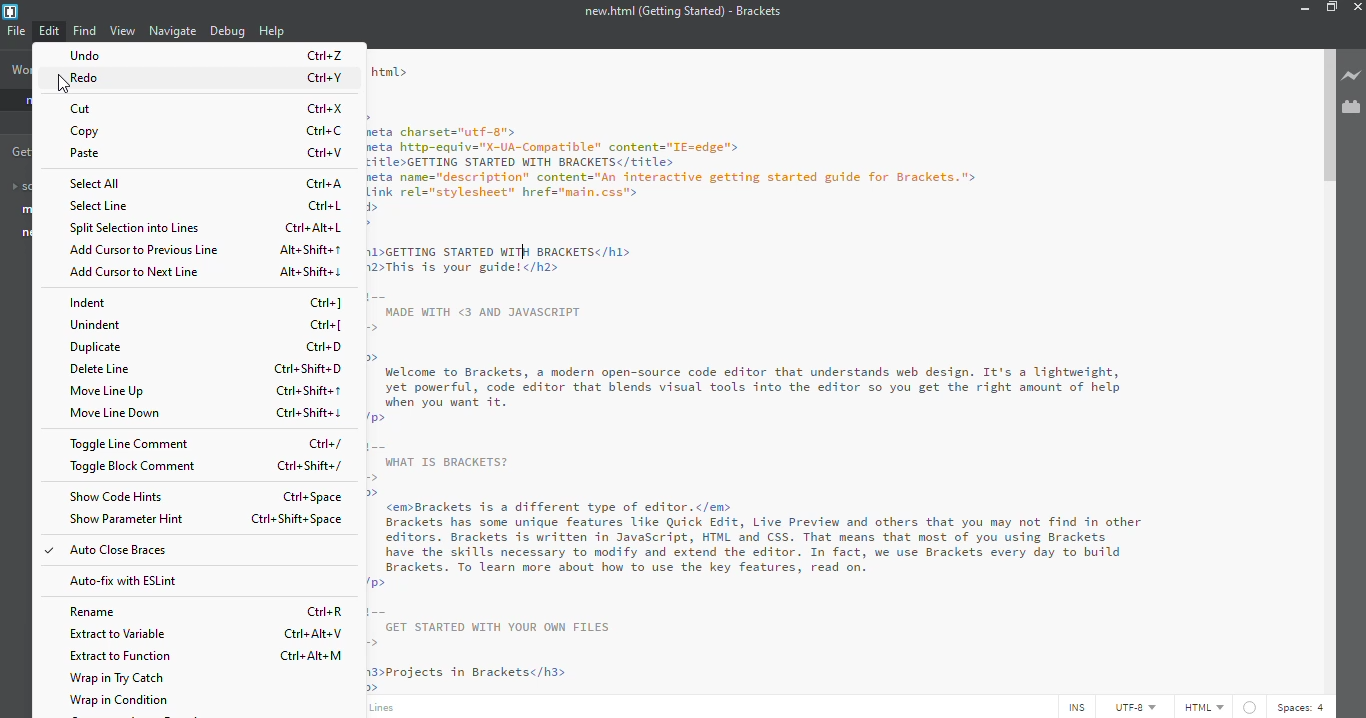 The image size is (1366, 718). What do you see at coordinates (133, 466) in the screenshot?
I see `toggle block comment` at bounding box center [133, 466].